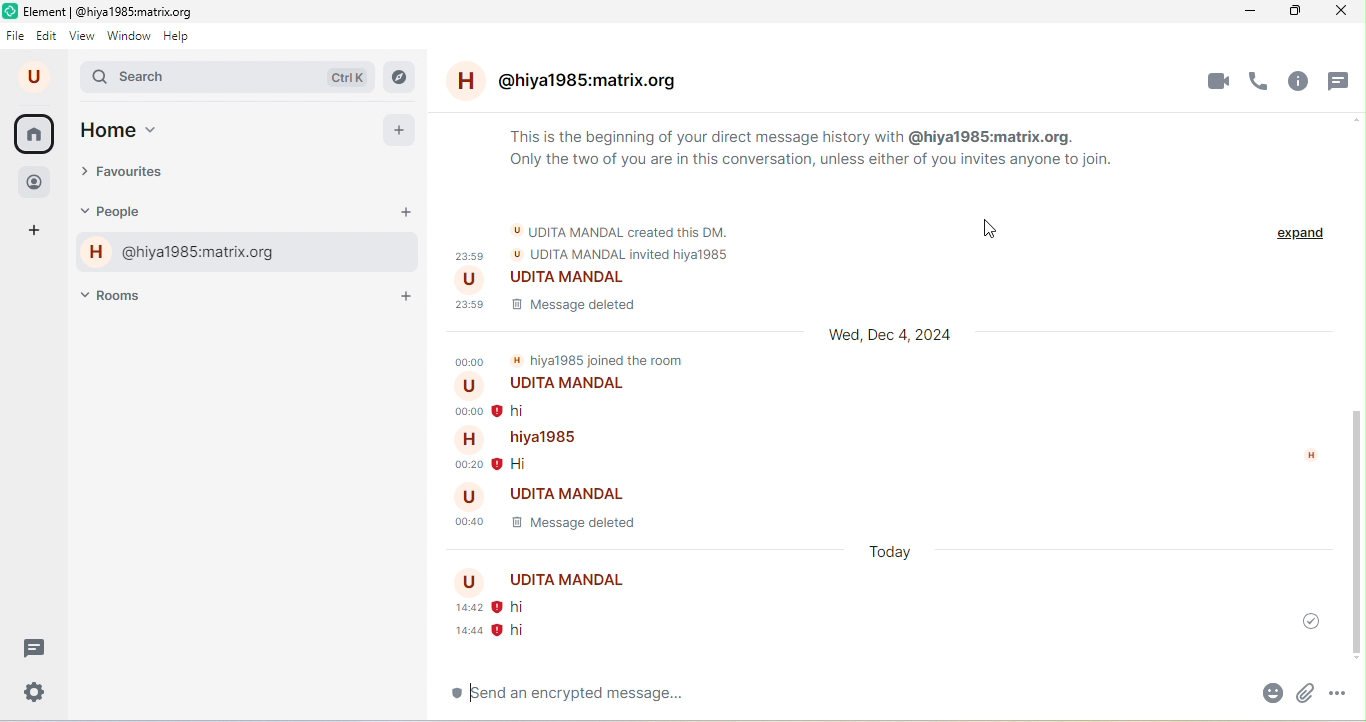 The image size is (1366, 722). Describe the element at coordinates (548, 385) in the screenshot. I see `udita mandal` at that location.